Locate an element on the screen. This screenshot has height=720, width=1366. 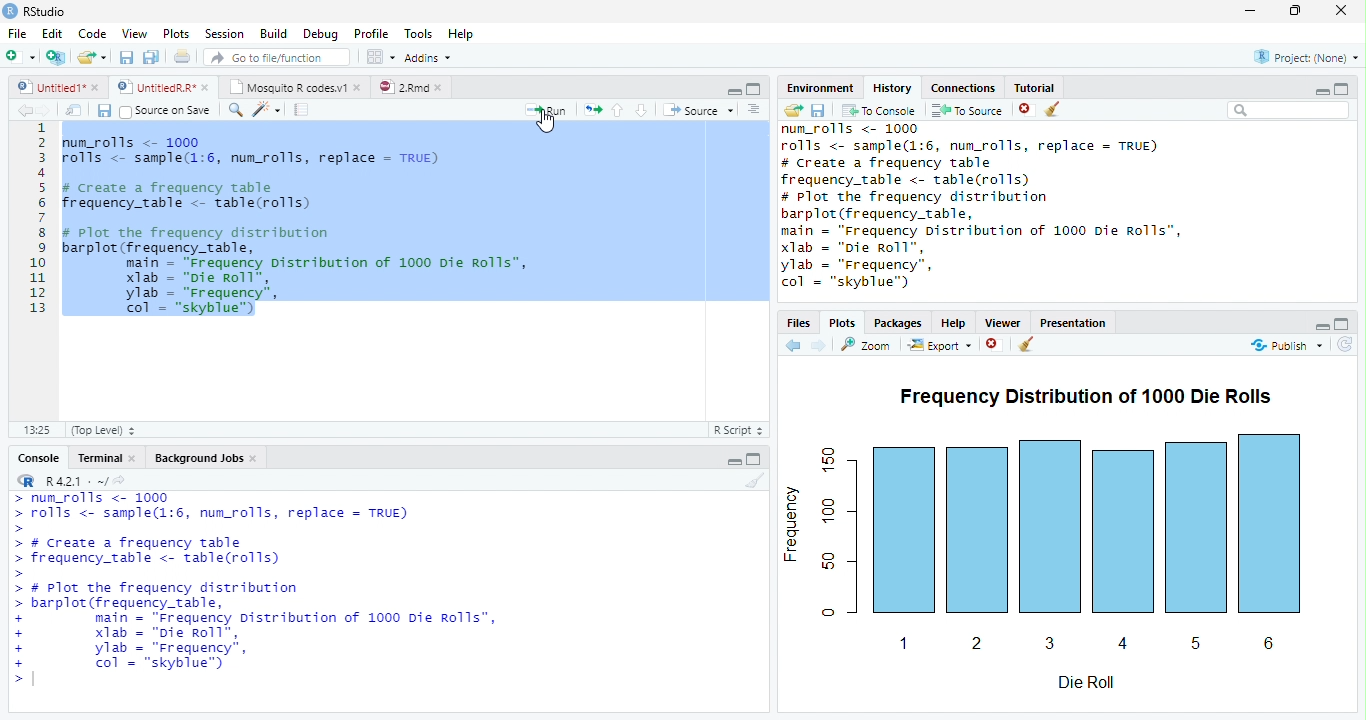
Plots is located at coordinates (177, 32).